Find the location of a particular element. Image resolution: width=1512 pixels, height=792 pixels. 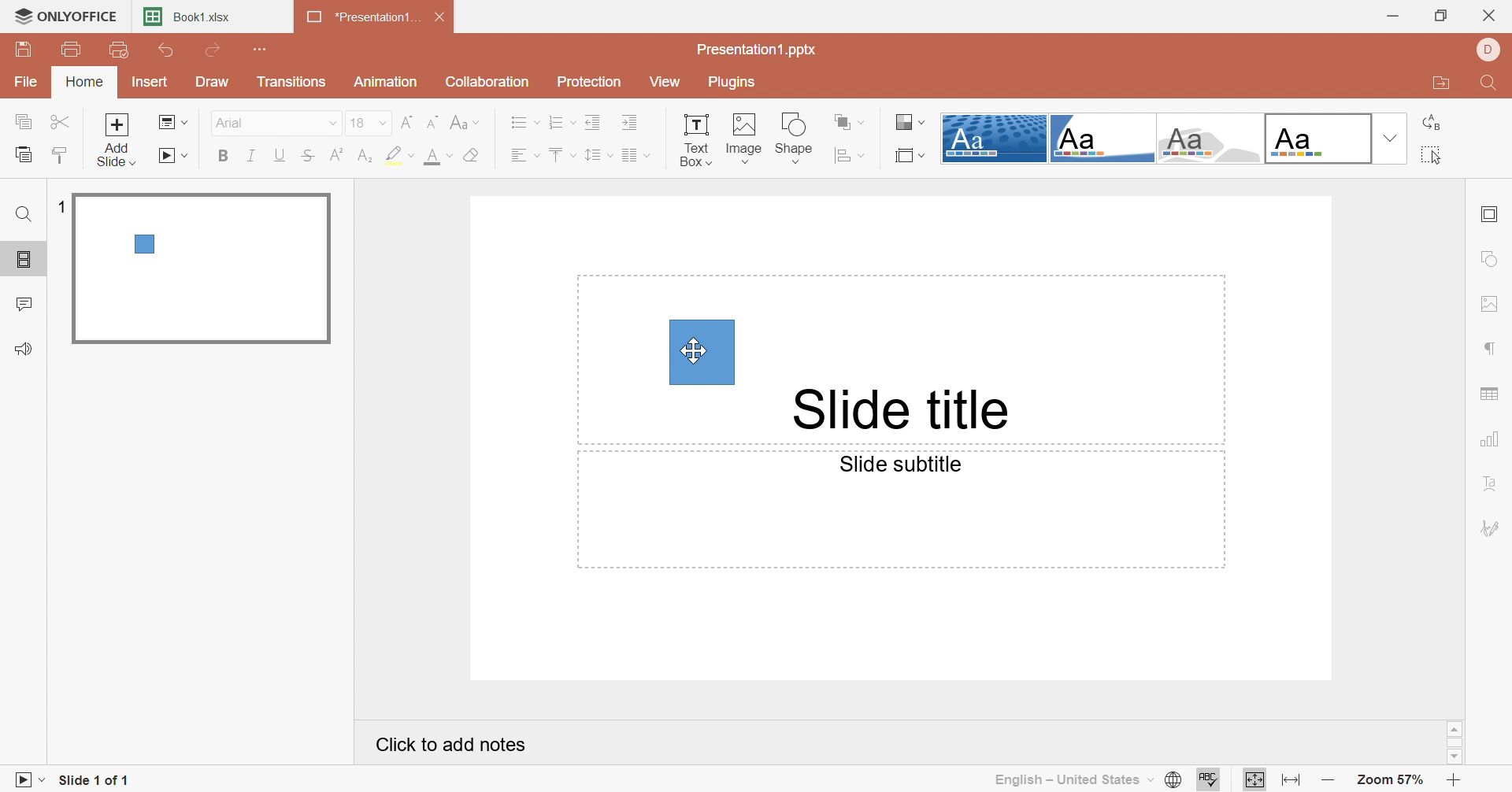

Protection is located at coordinates (591, 83).